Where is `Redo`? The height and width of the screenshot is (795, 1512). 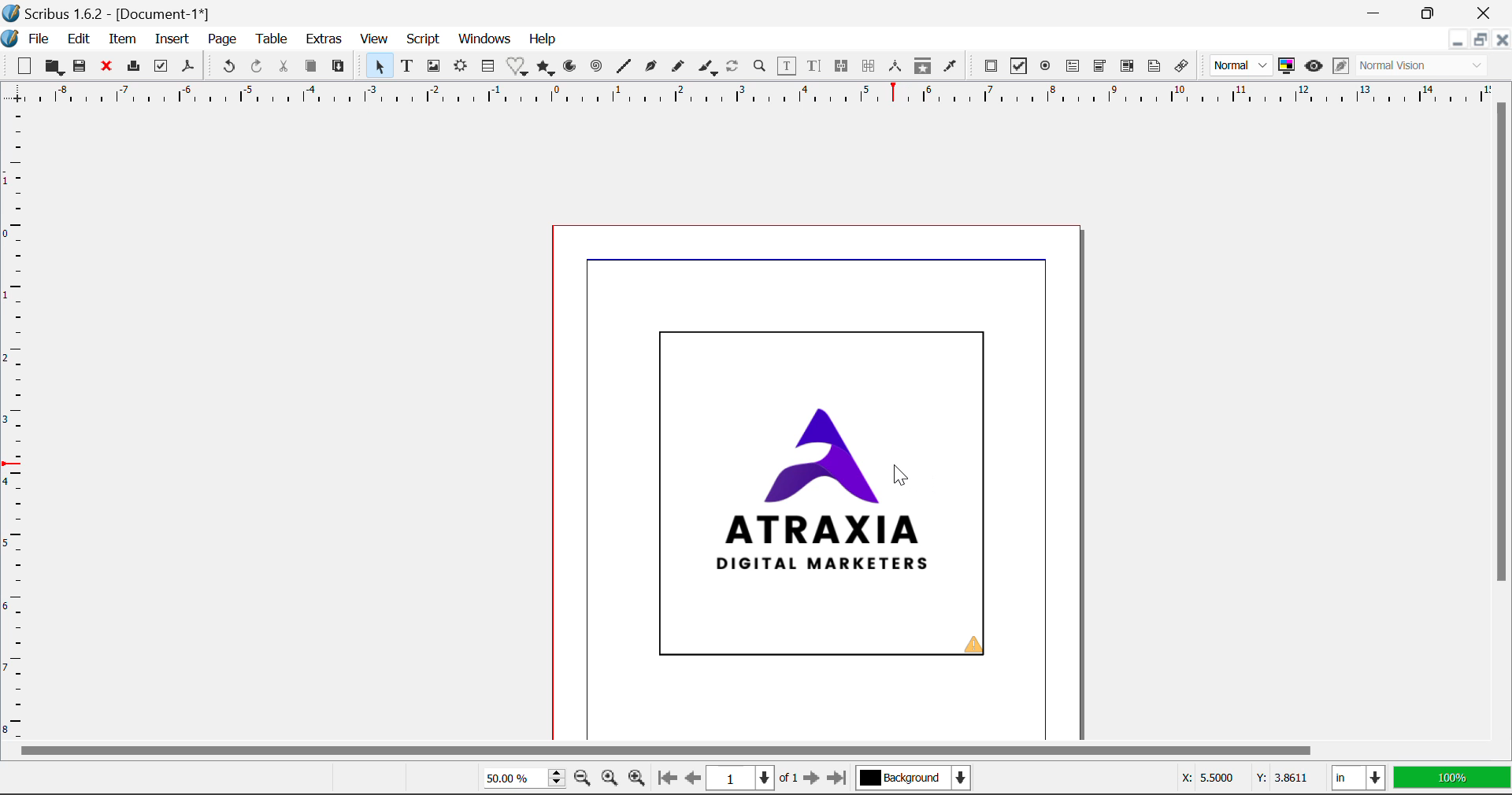
Redo is located at coordinates (258, 68).